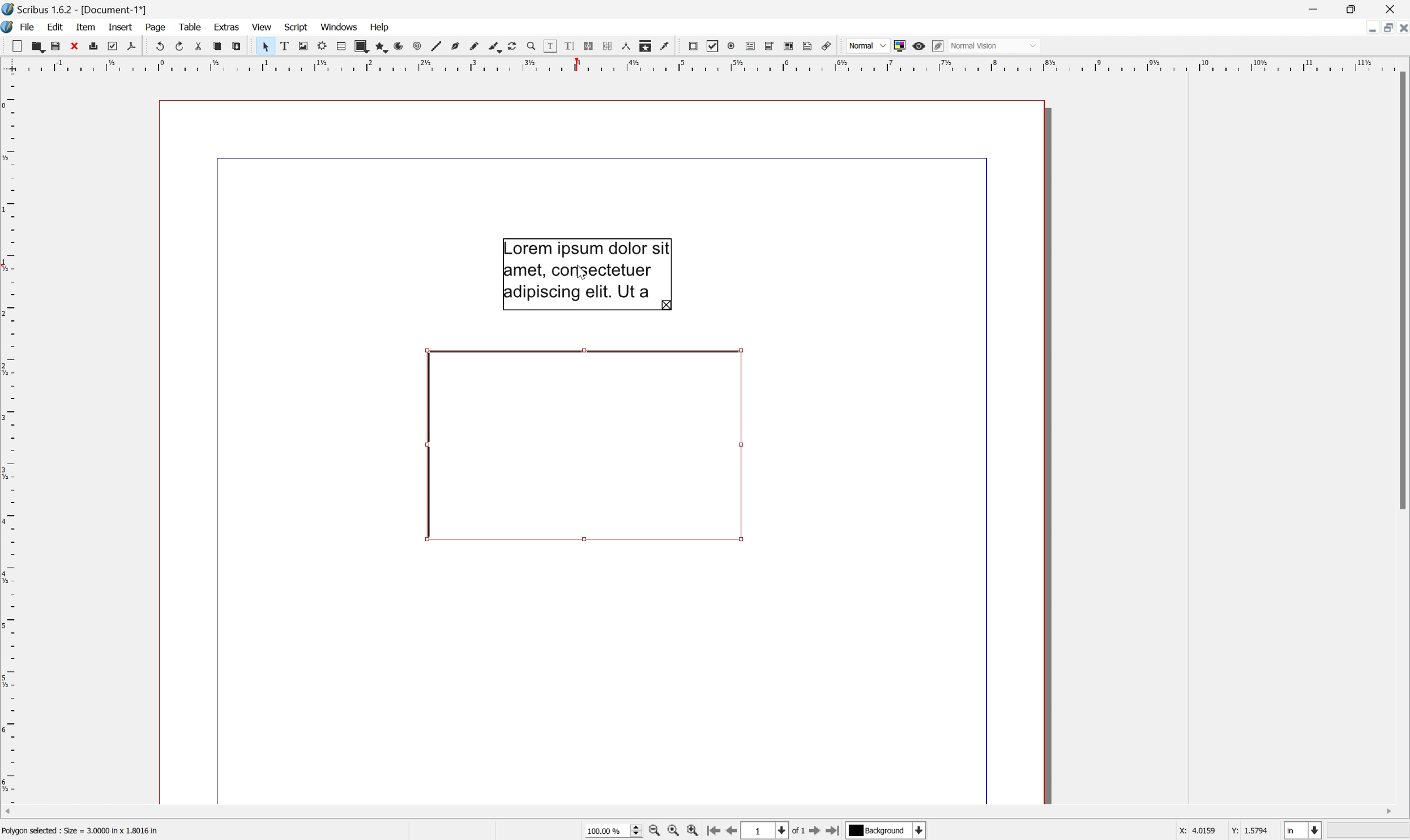  I want to click on Preflight verifier, so click(112, 47).